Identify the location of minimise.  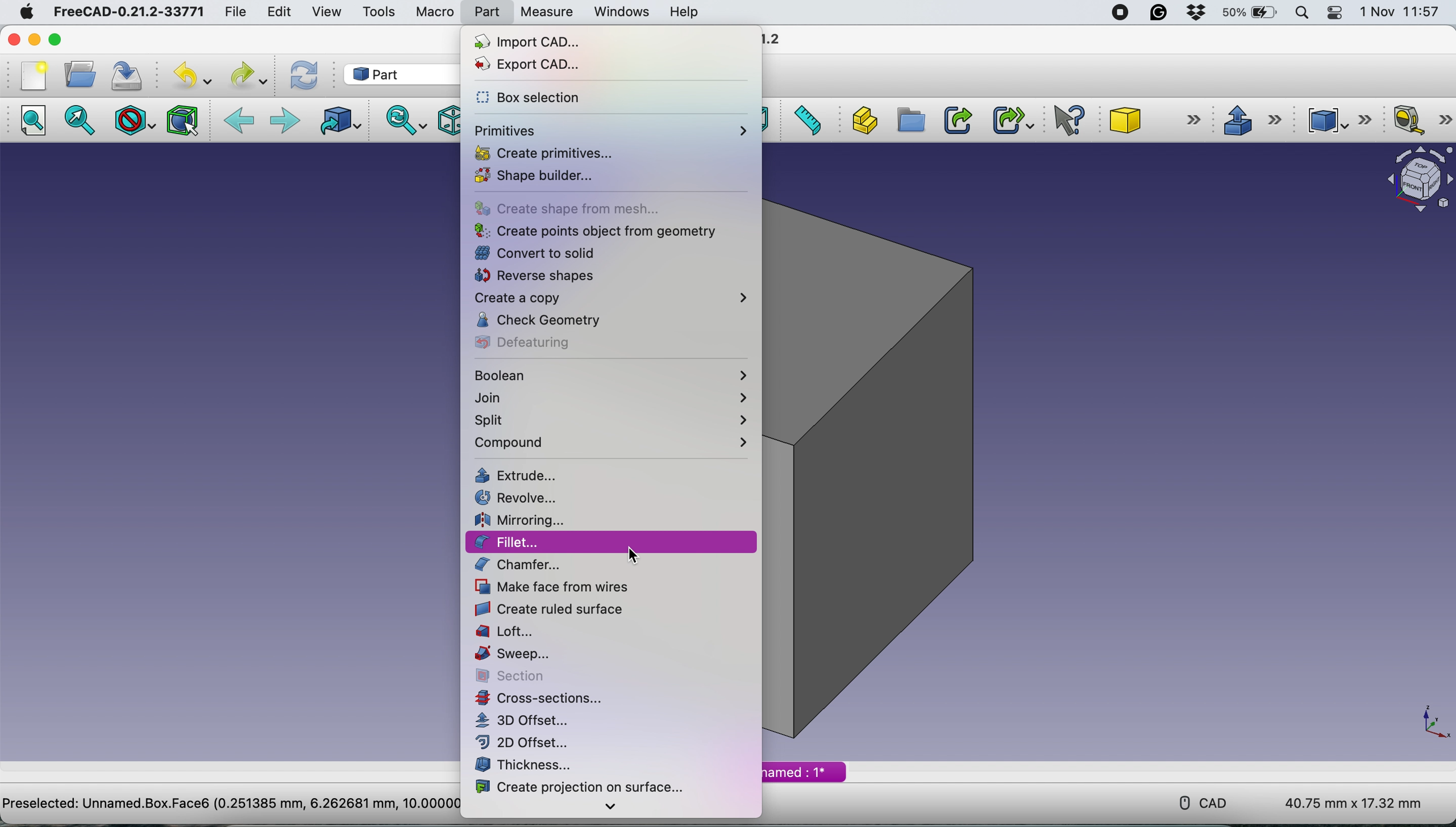
(35, 40).